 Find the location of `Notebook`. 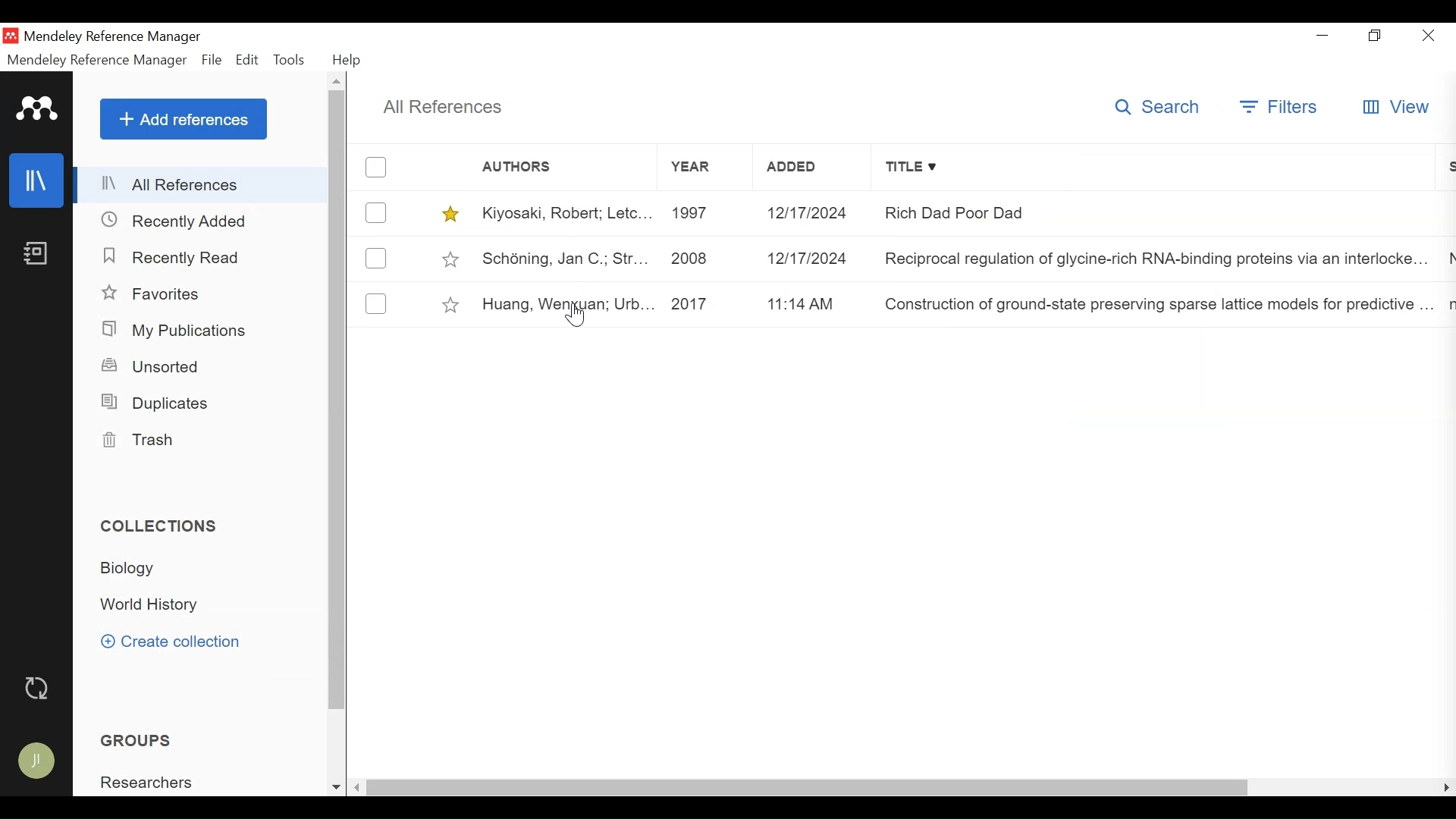

Notebook is located at coordinates (38, 255).